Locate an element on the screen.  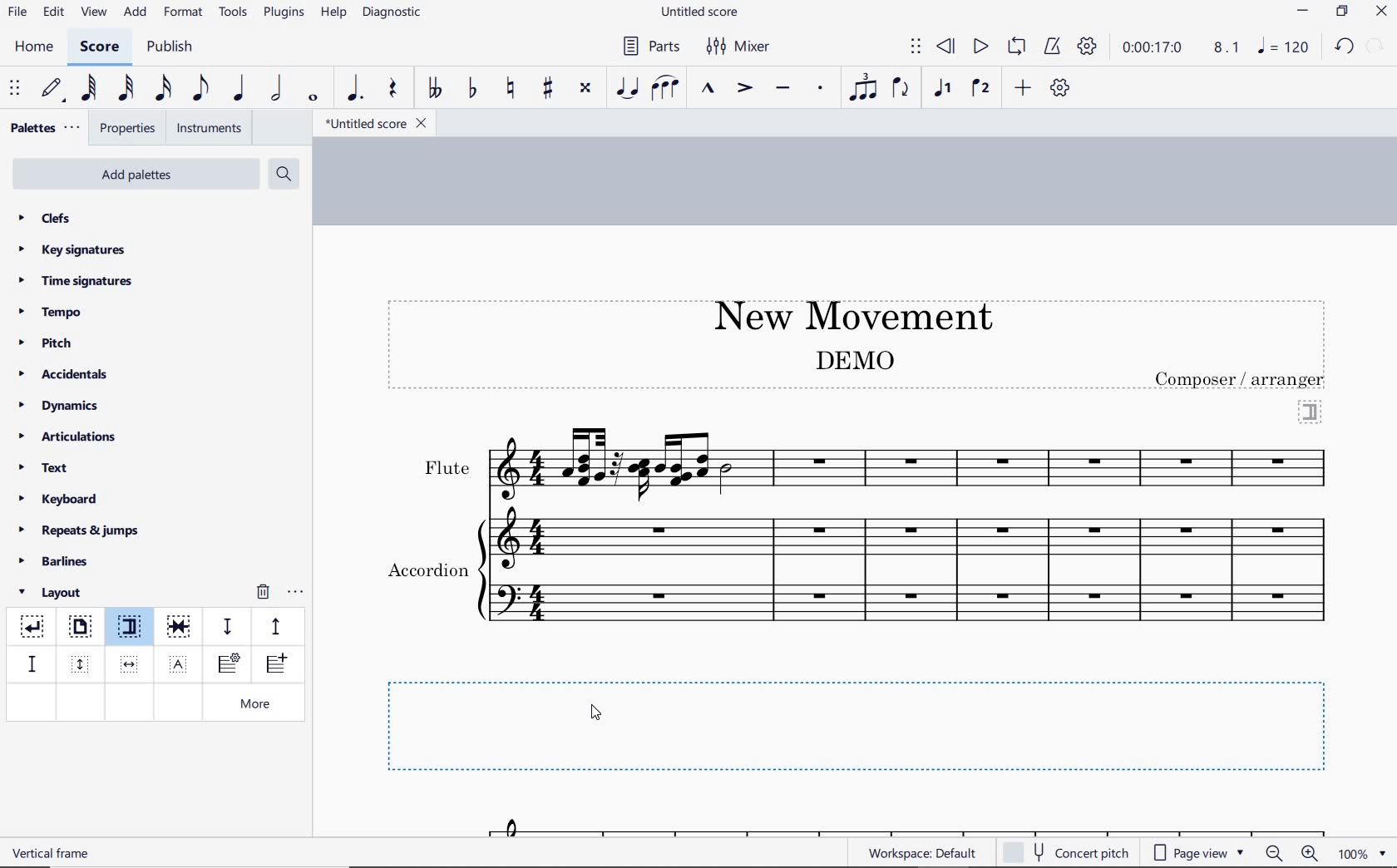
publish is located at coordinates (168, 48).